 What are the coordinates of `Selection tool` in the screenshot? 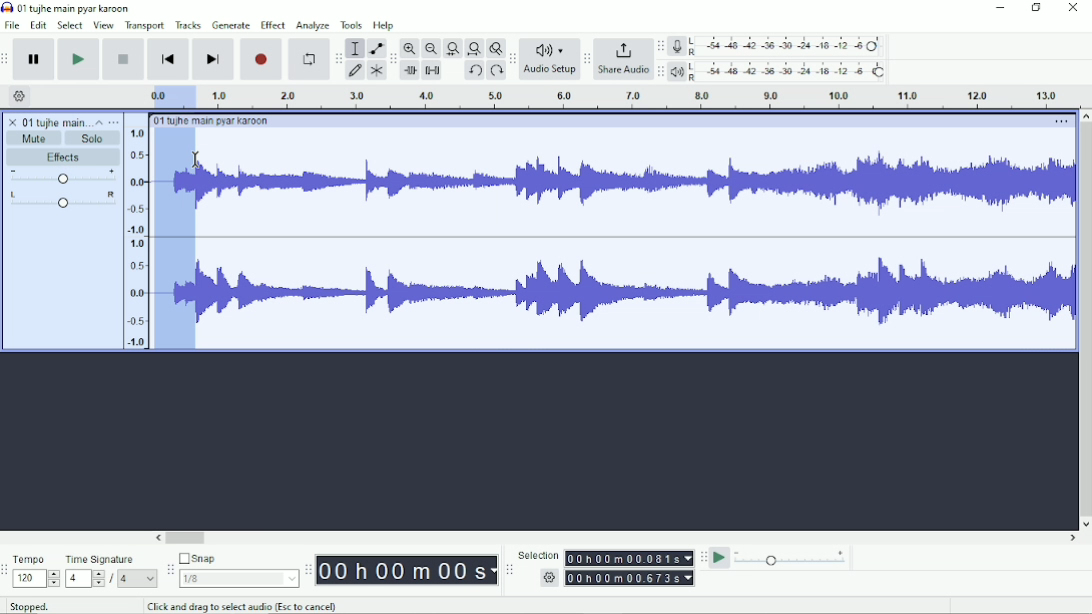 It's located at (355, 47).